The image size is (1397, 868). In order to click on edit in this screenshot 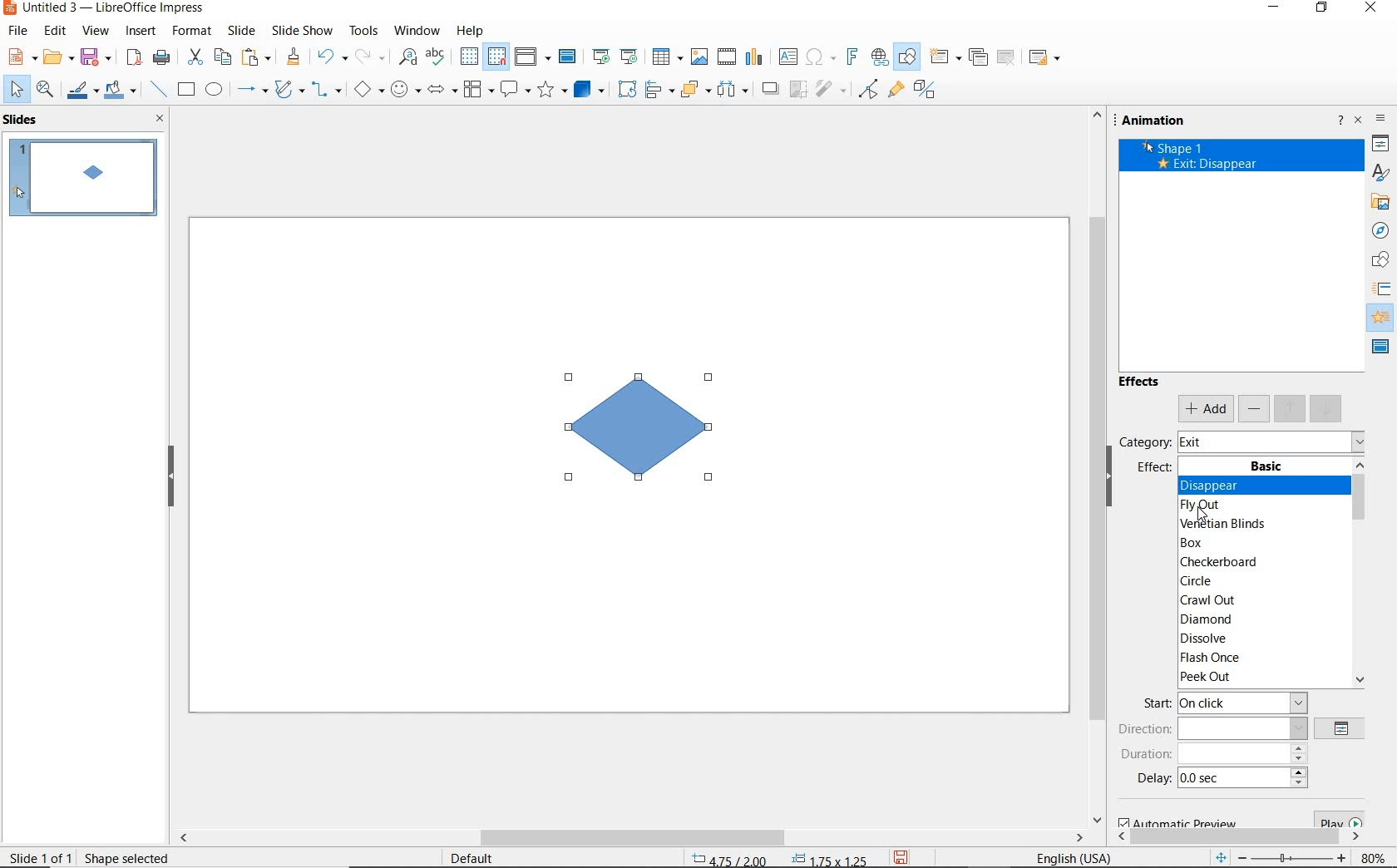, I will do `click(55, 31)`.